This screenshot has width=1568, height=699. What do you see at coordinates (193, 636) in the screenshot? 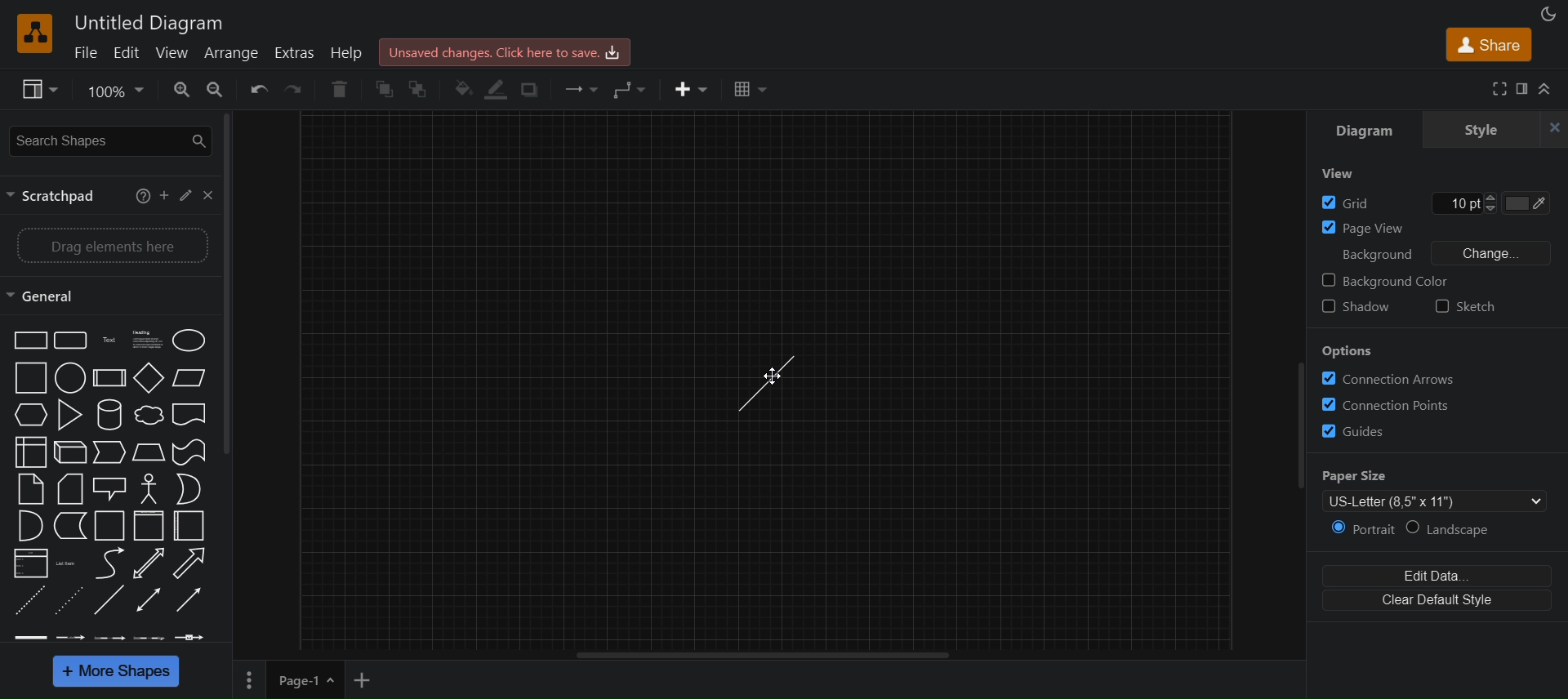
I see `connector 5` at bounding box center [193, 636].